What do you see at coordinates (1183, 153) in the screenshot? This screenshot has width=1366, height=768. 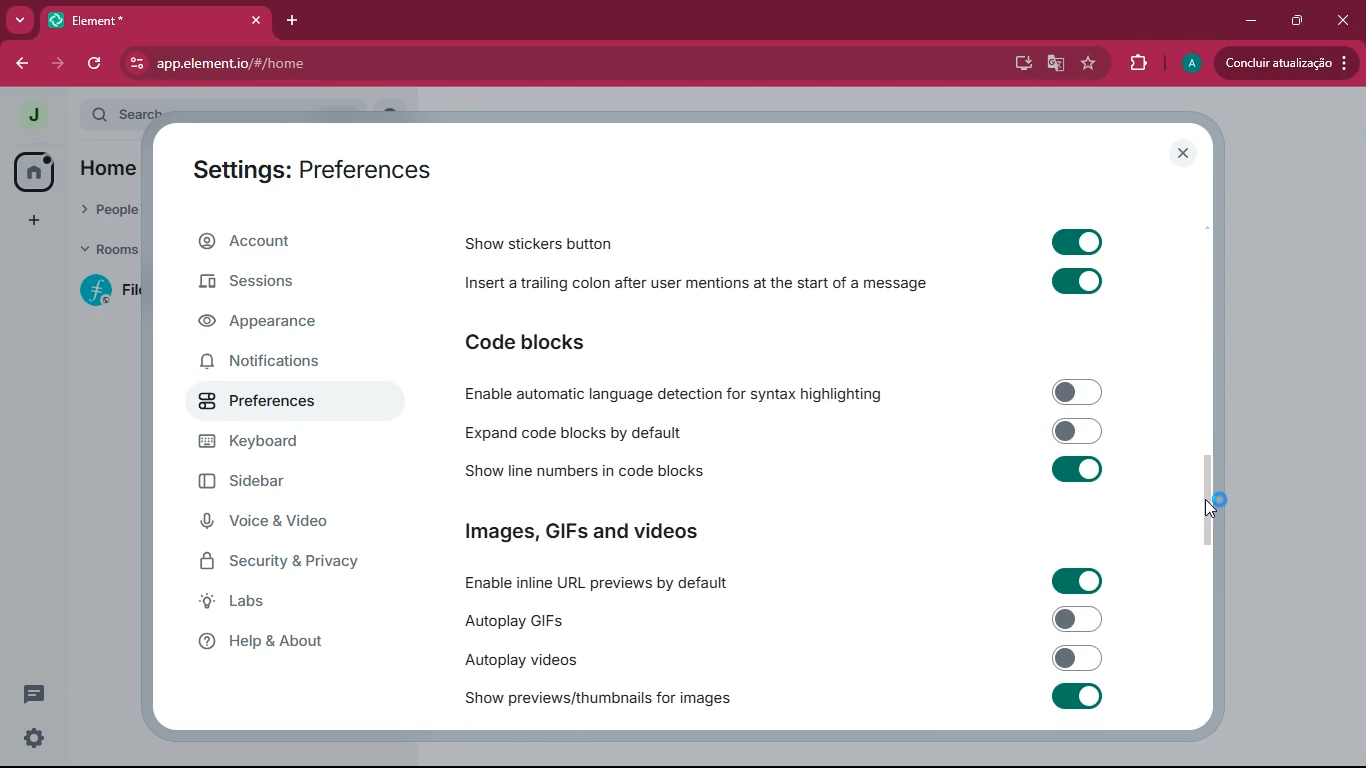 I see `Close` at bounding box center [1183, 153].